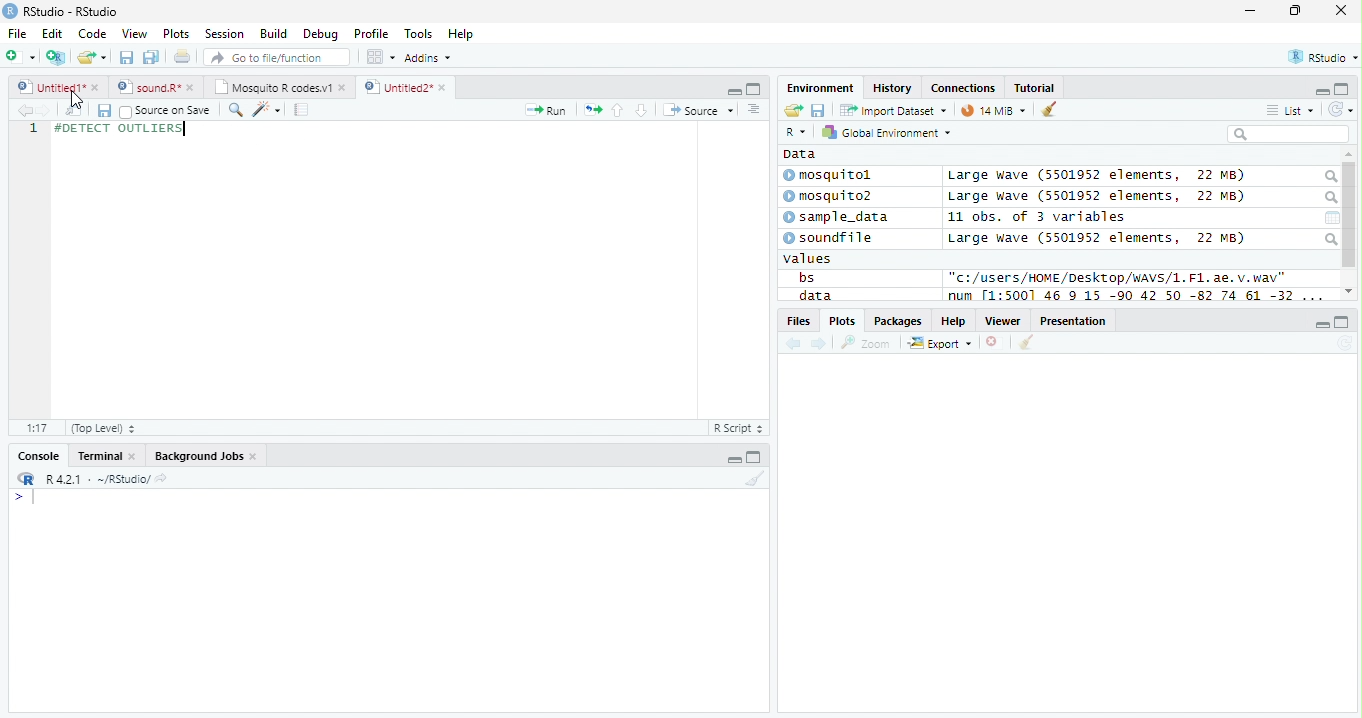 This screenshot has width=1362, height=718. What do you see at coordinates (1096, 238) in the screenshot?
I see `Large wave (5501952 elements, 22 MB)` at bounding box center [1096, 238].